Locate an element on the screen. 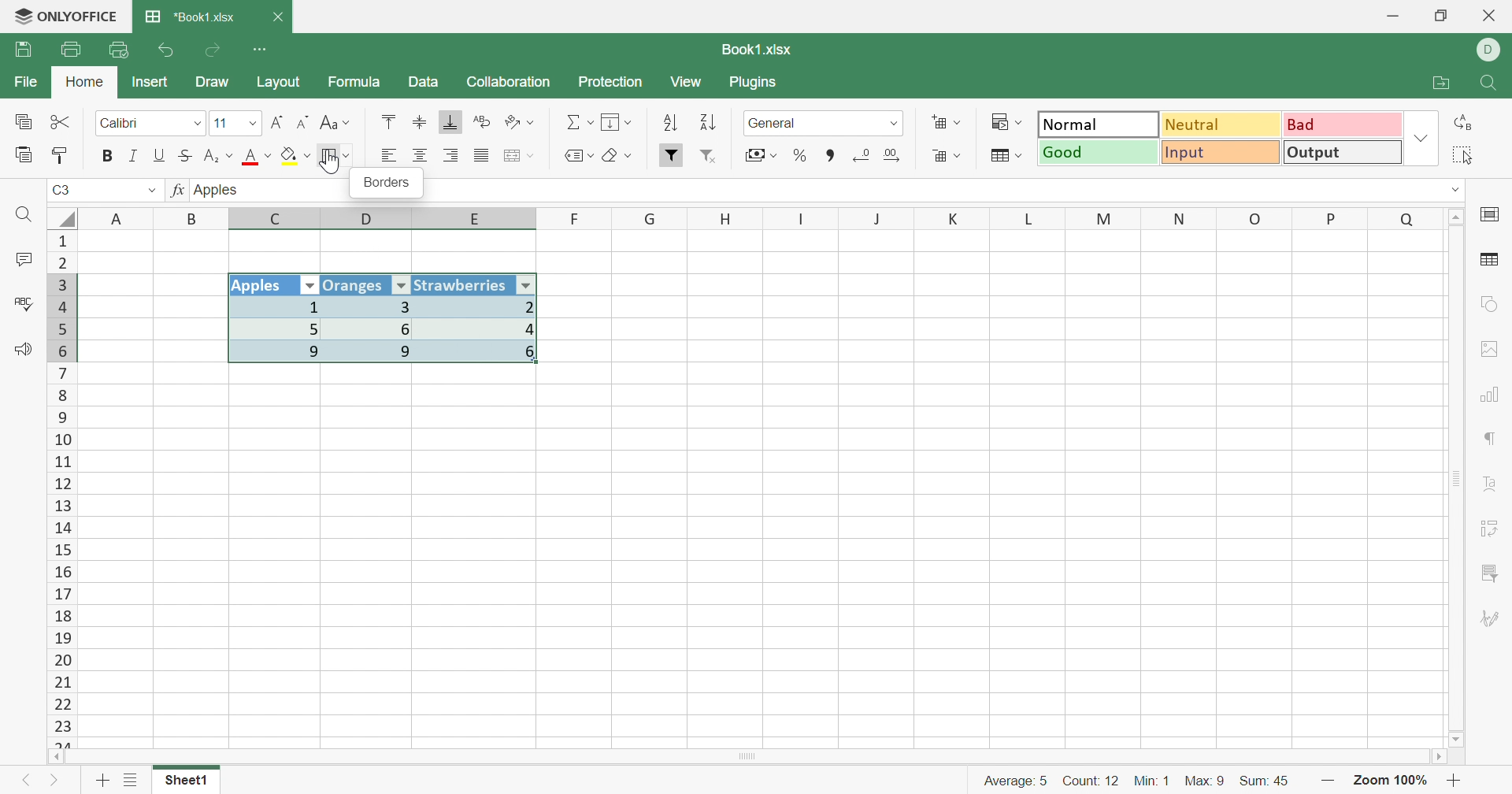 The width and height of the screenshot is (1512, 794). Autofilter is located at coordinates (401, 286).